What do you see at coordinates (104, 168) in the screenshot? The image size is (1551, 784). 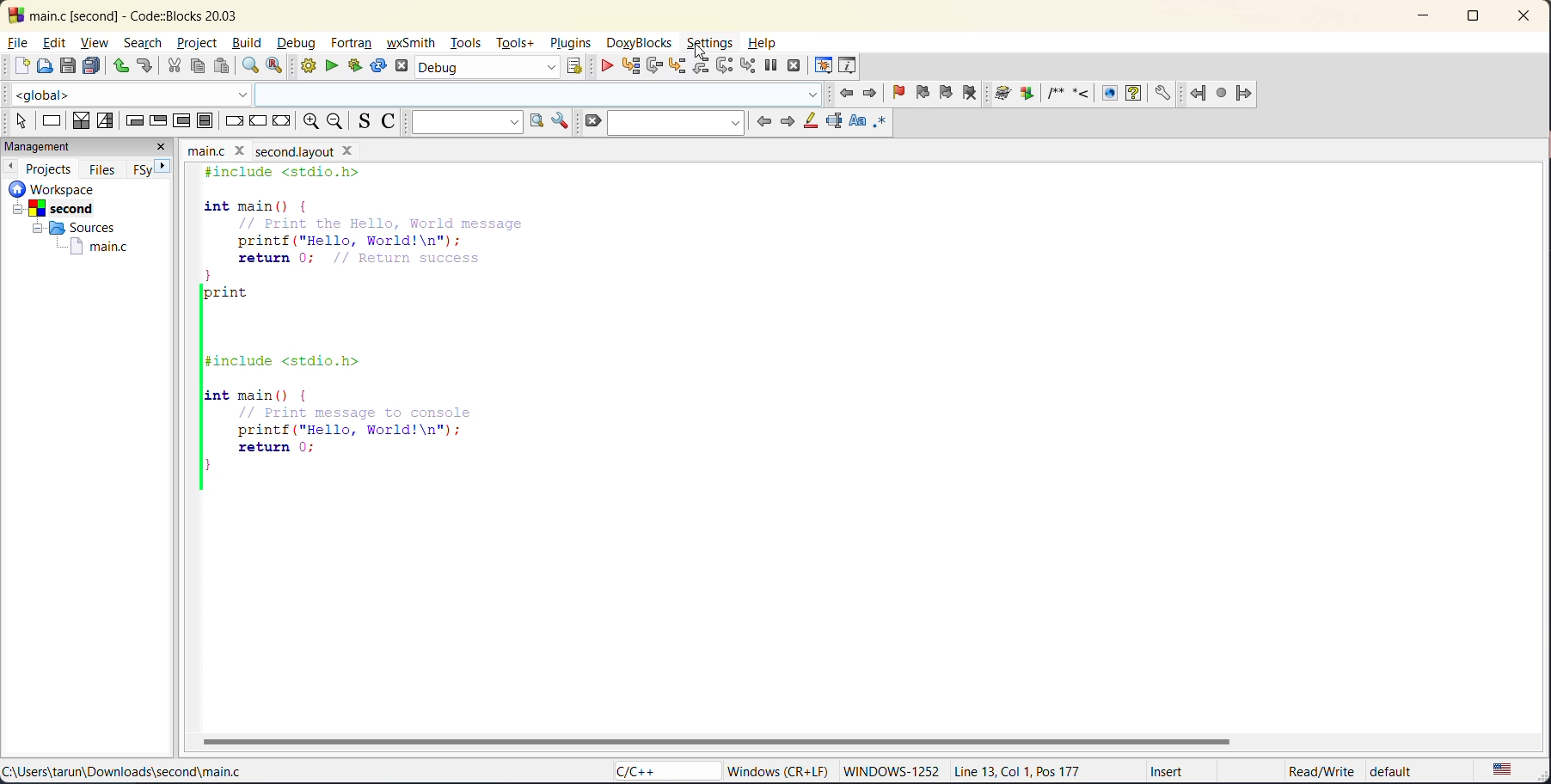 I see `files` at bounding box center [104, 168].